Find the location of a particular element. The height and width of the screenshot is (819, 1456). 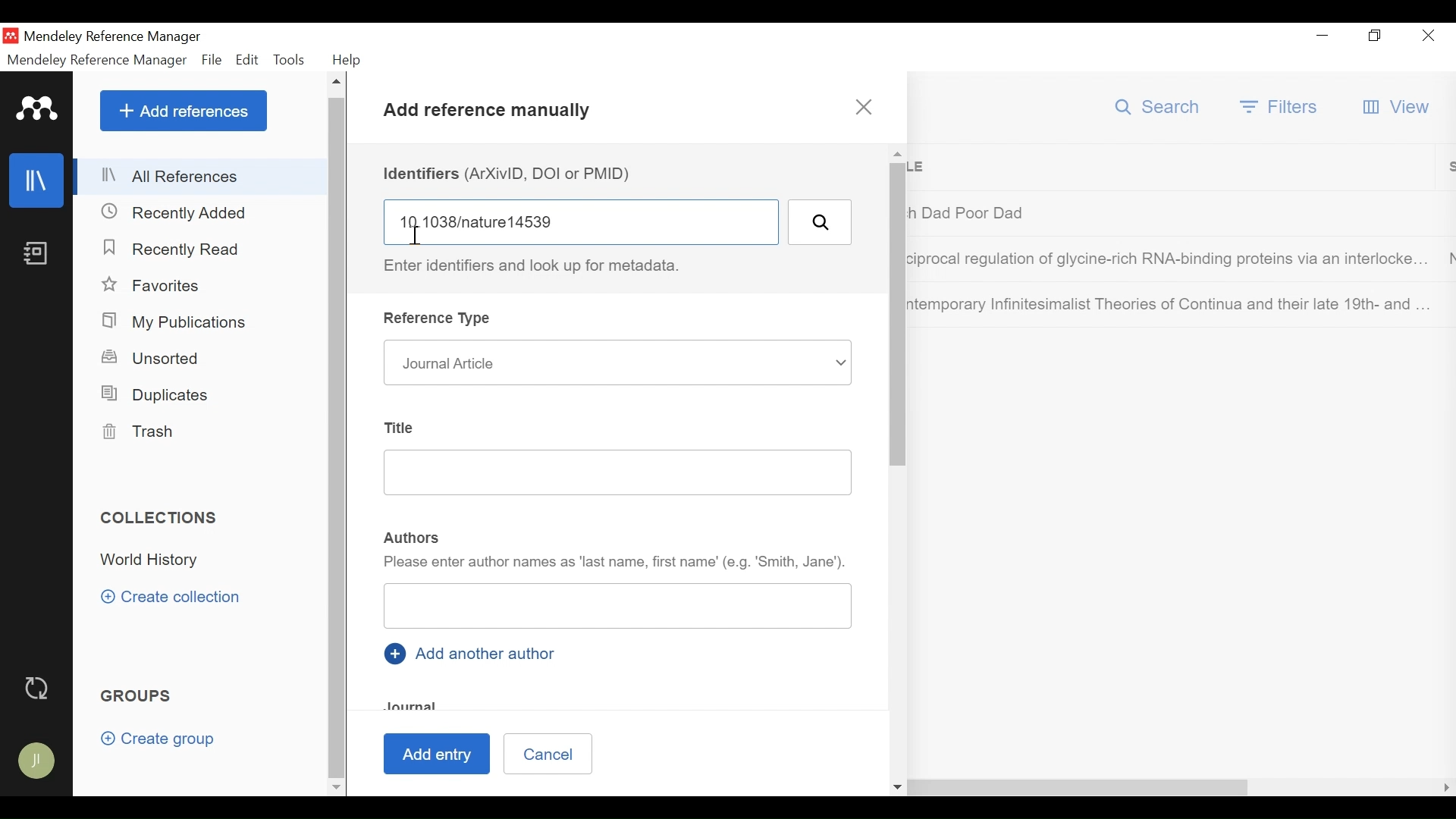

My Publication is located at coordinates (177, 322).